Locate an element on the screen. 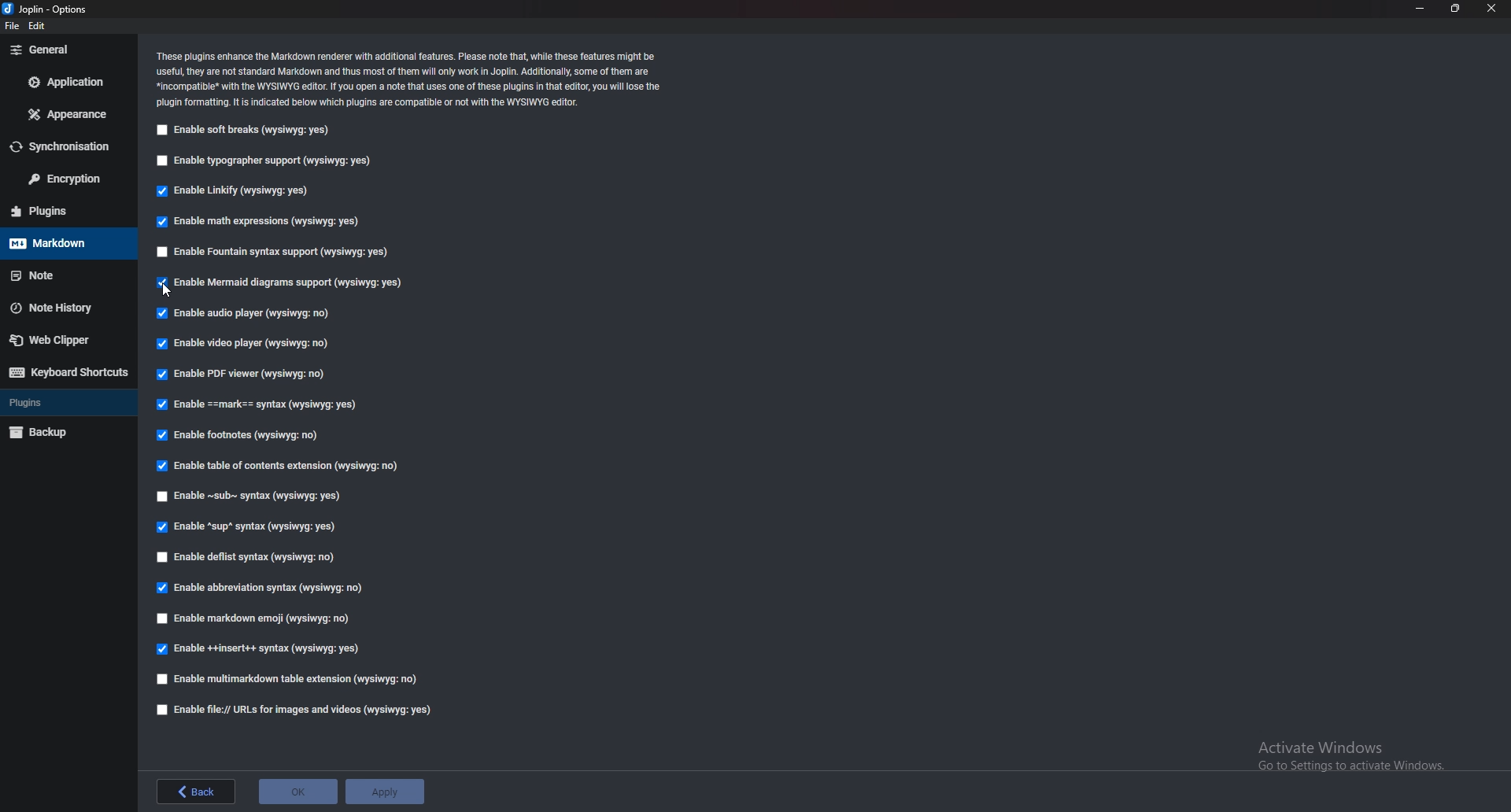  Synchronization is located at coordinates (68, 146).